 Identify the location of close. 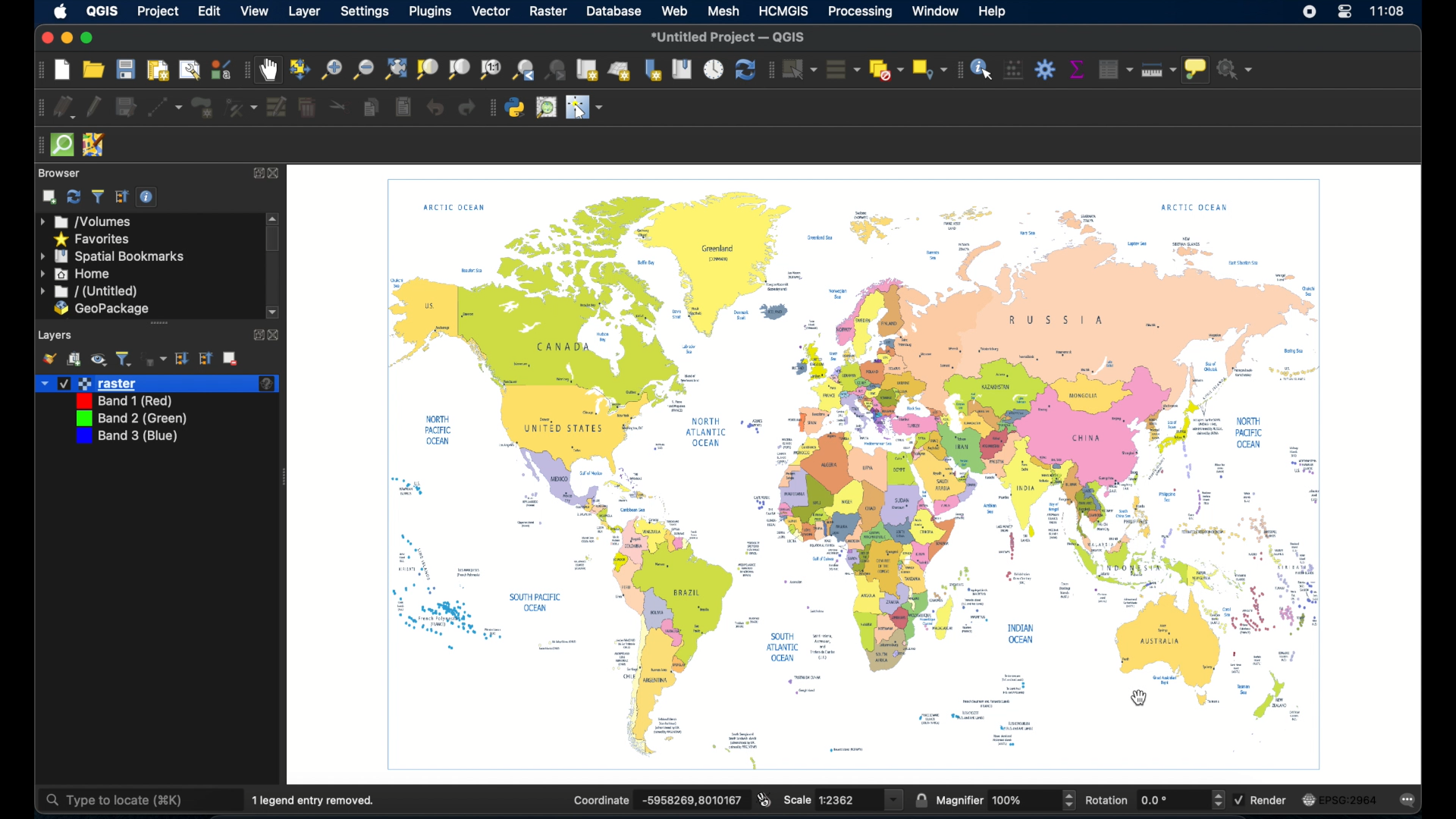
(279, 174).